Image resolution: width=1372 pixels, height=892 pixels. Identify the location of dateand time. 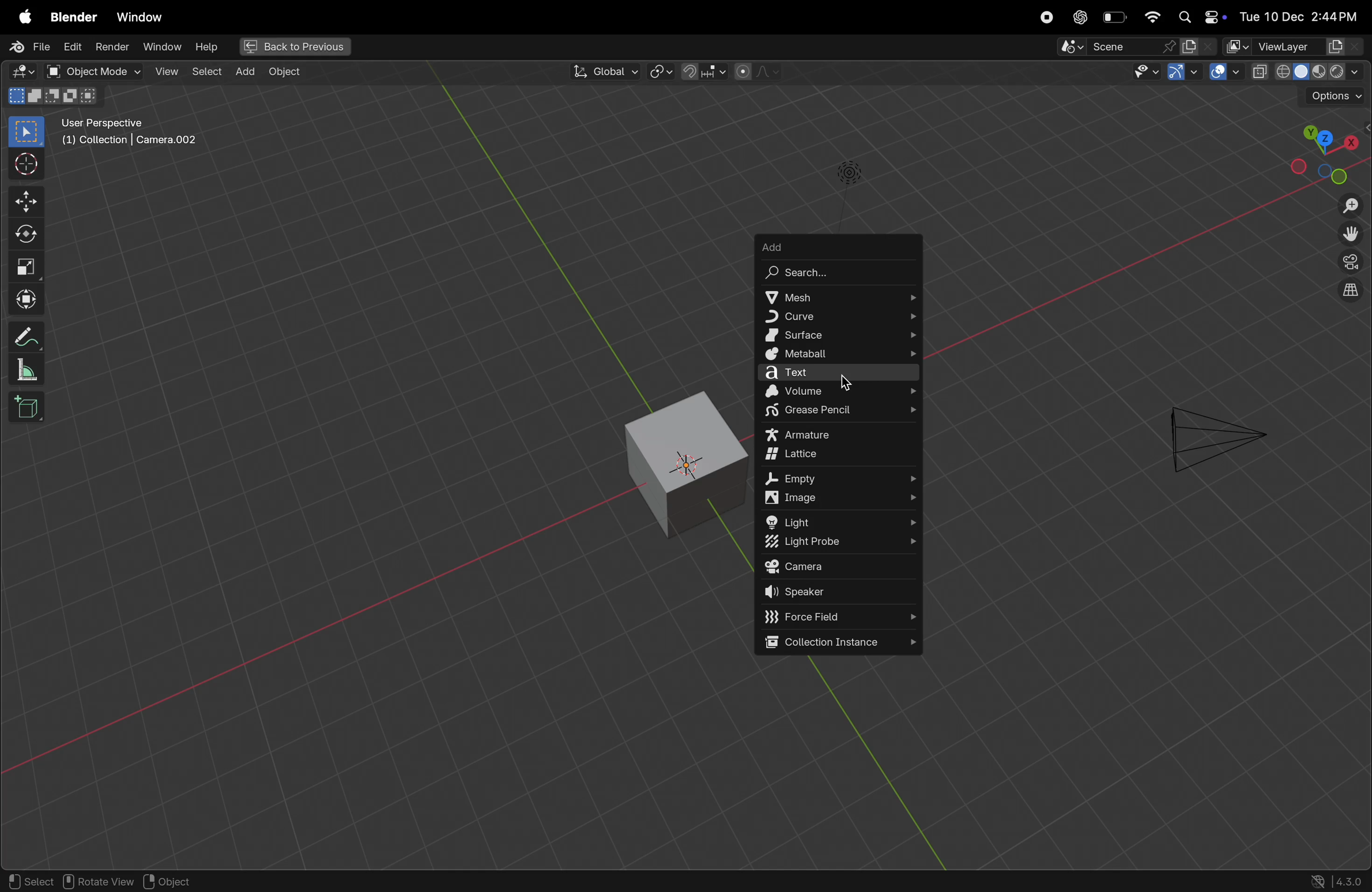
(1301, 16).